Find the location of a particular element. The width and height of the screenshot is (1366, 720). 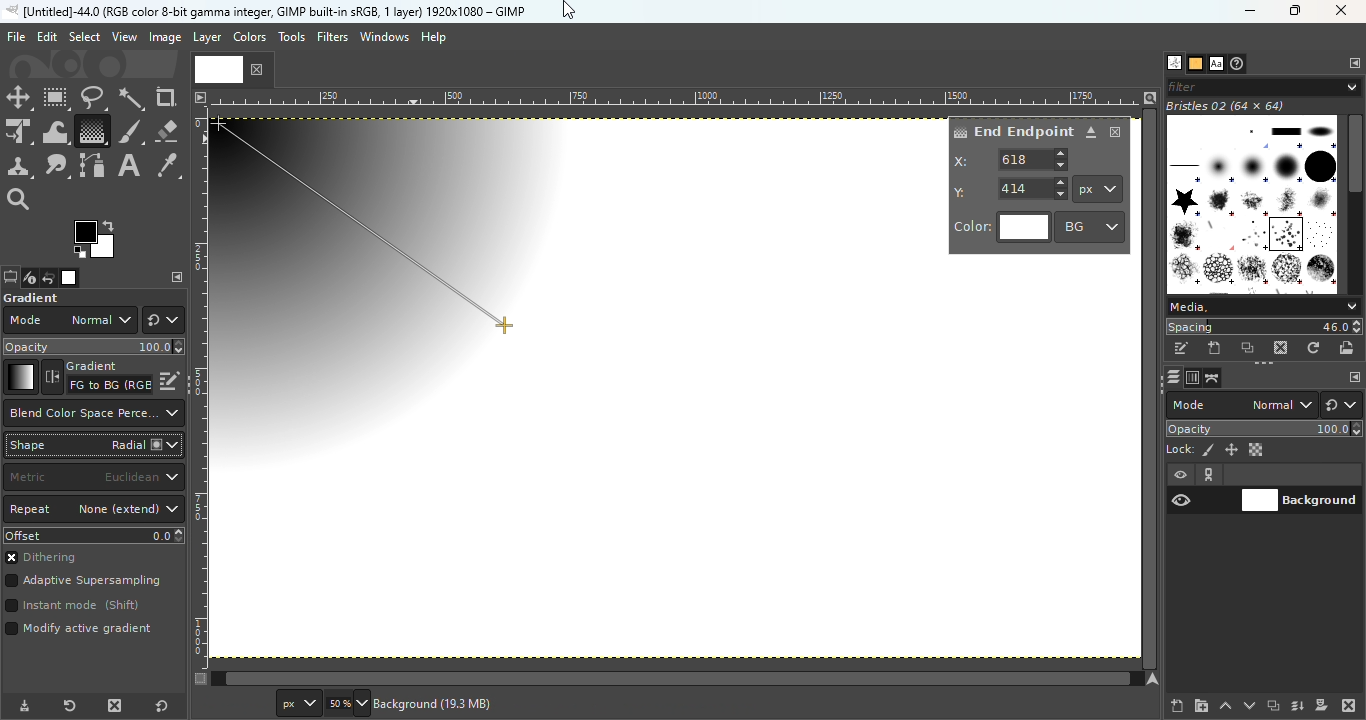

Gradient tool is located at coordinates (91, 131).